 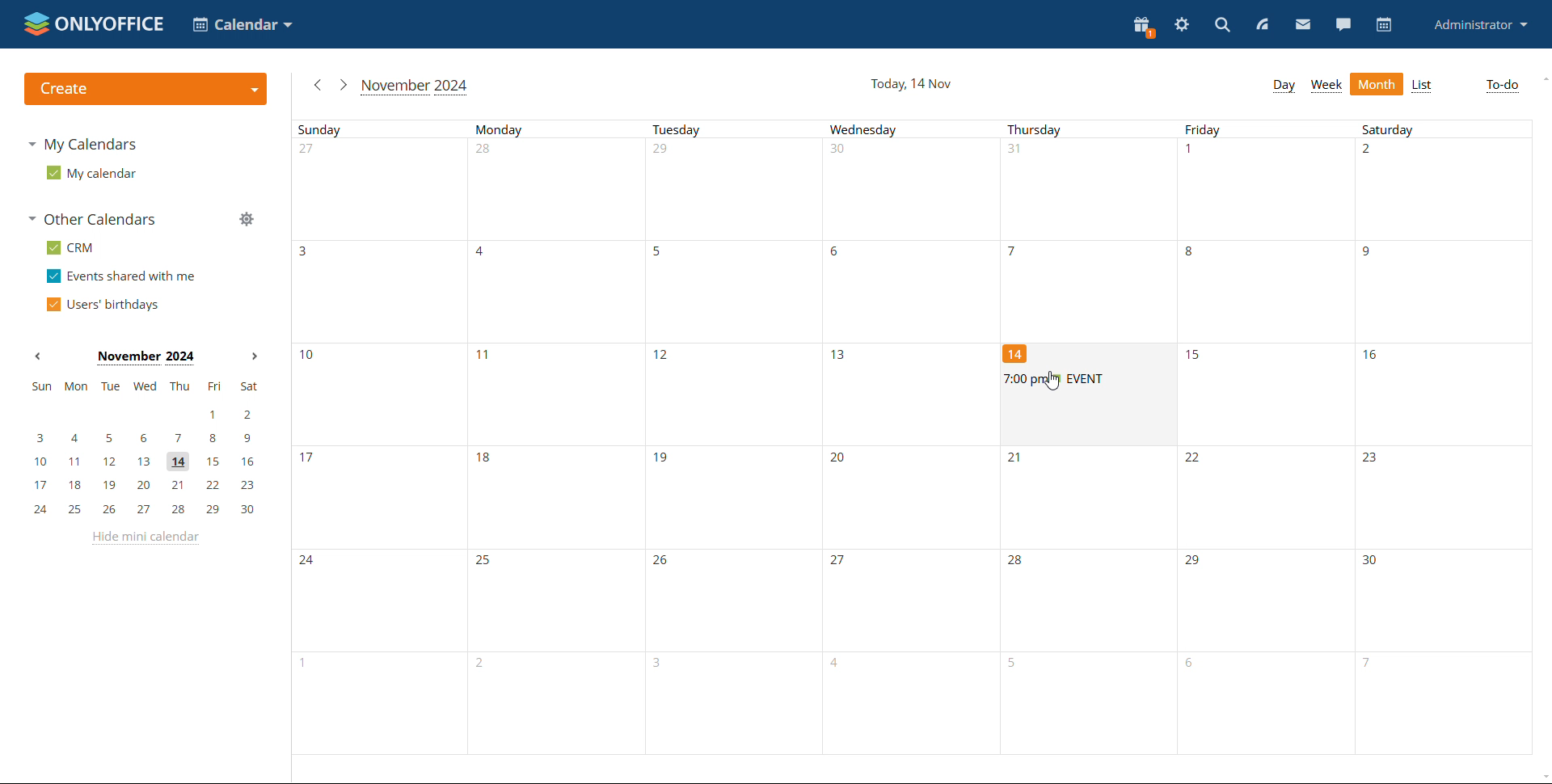 I want to click on list view, so click(x=1423, y=85).